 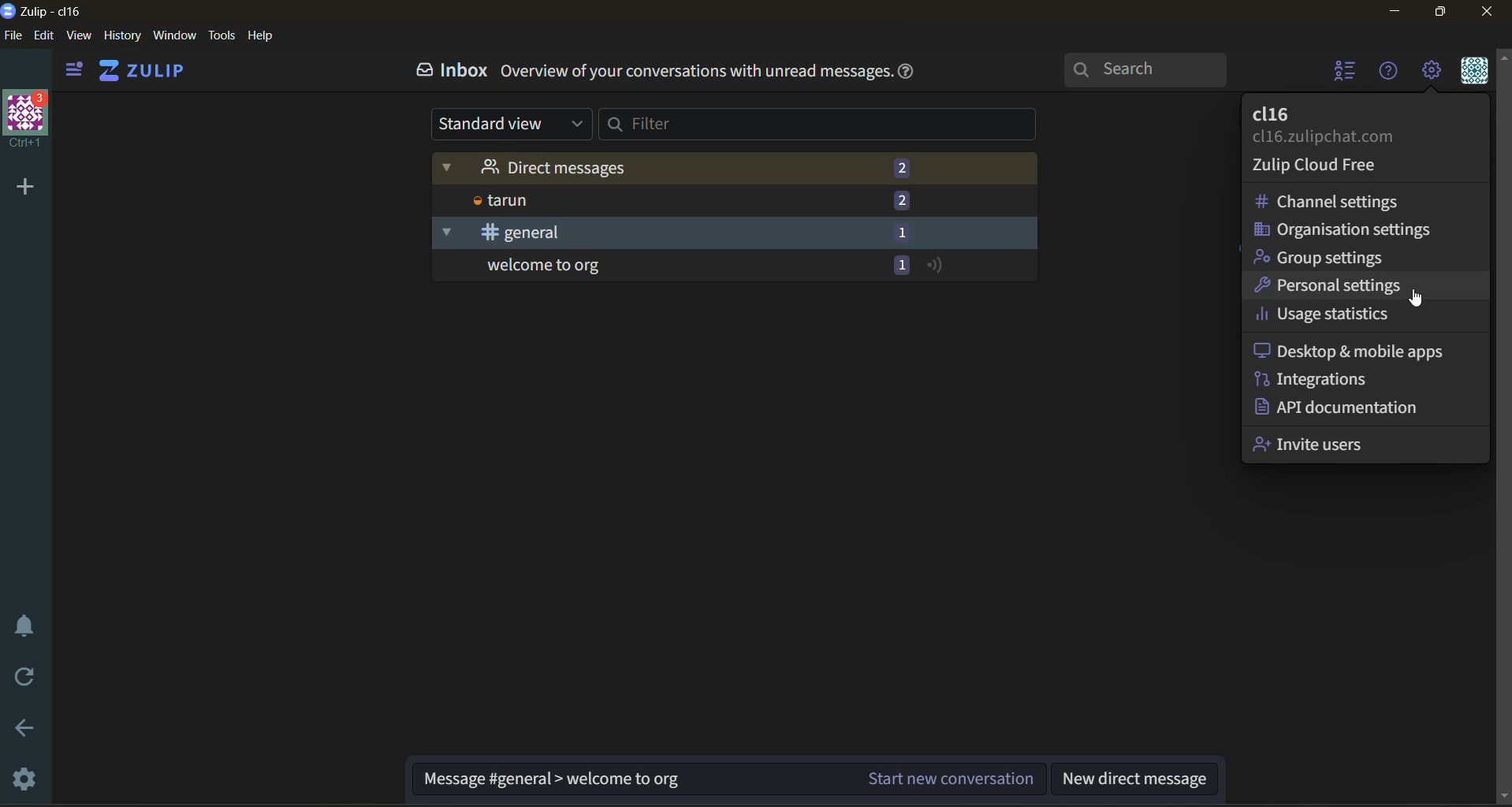 I want to click on minimize, so click(x=1396, y=11).